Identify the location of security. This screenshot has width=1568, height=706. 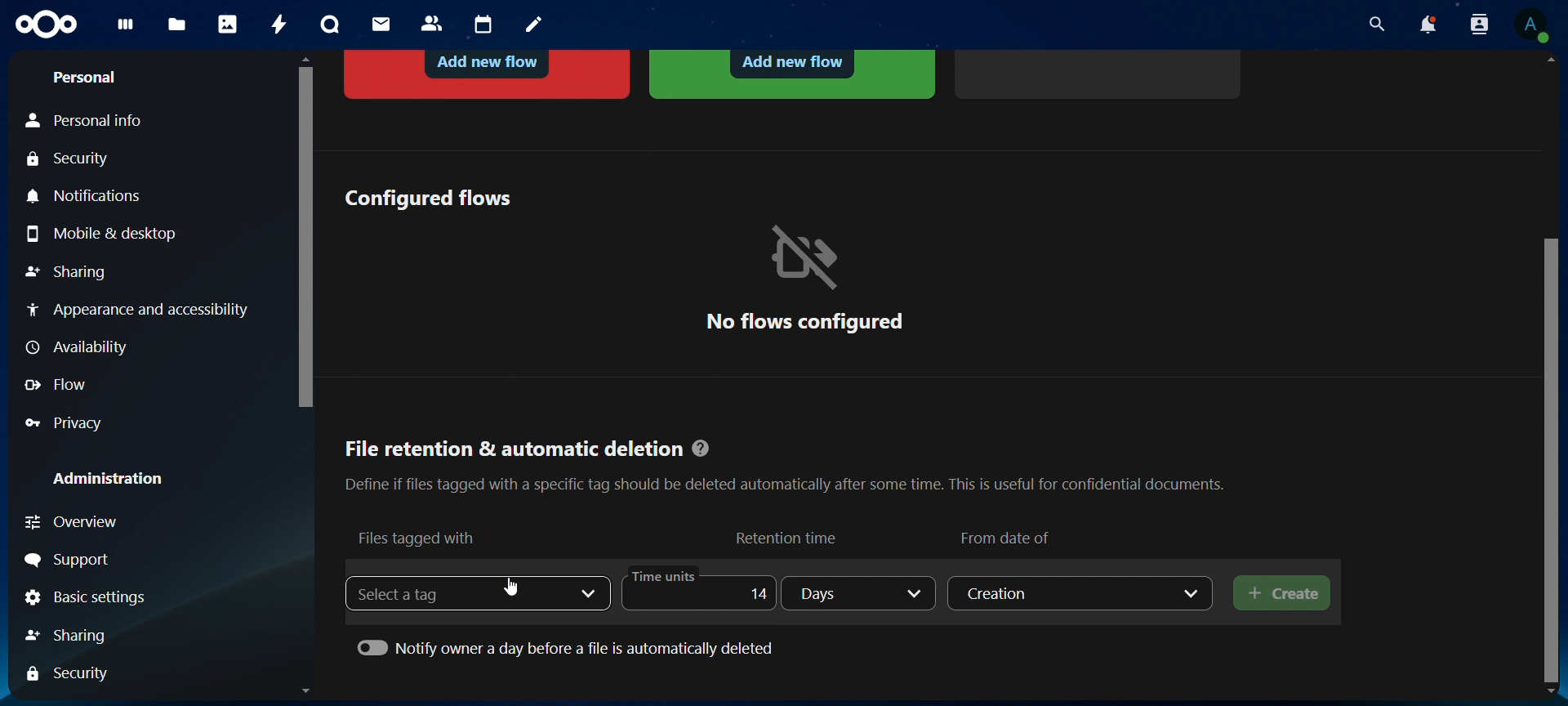
(73, 672).